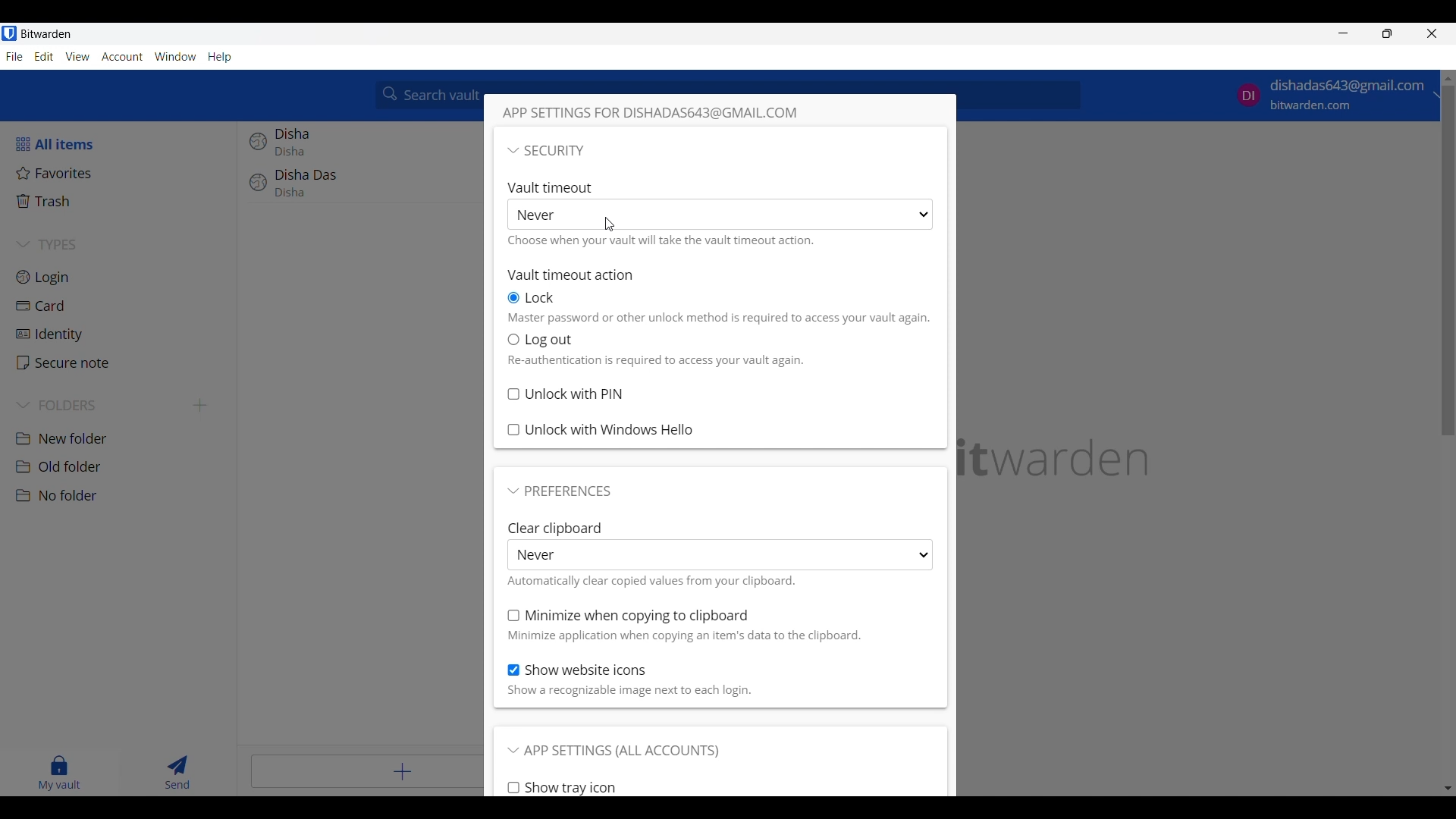 This screenshot has width=1456, height=819. Describe the element at coordinates (178, 773) in the screenshot. I see `Send` at that location.